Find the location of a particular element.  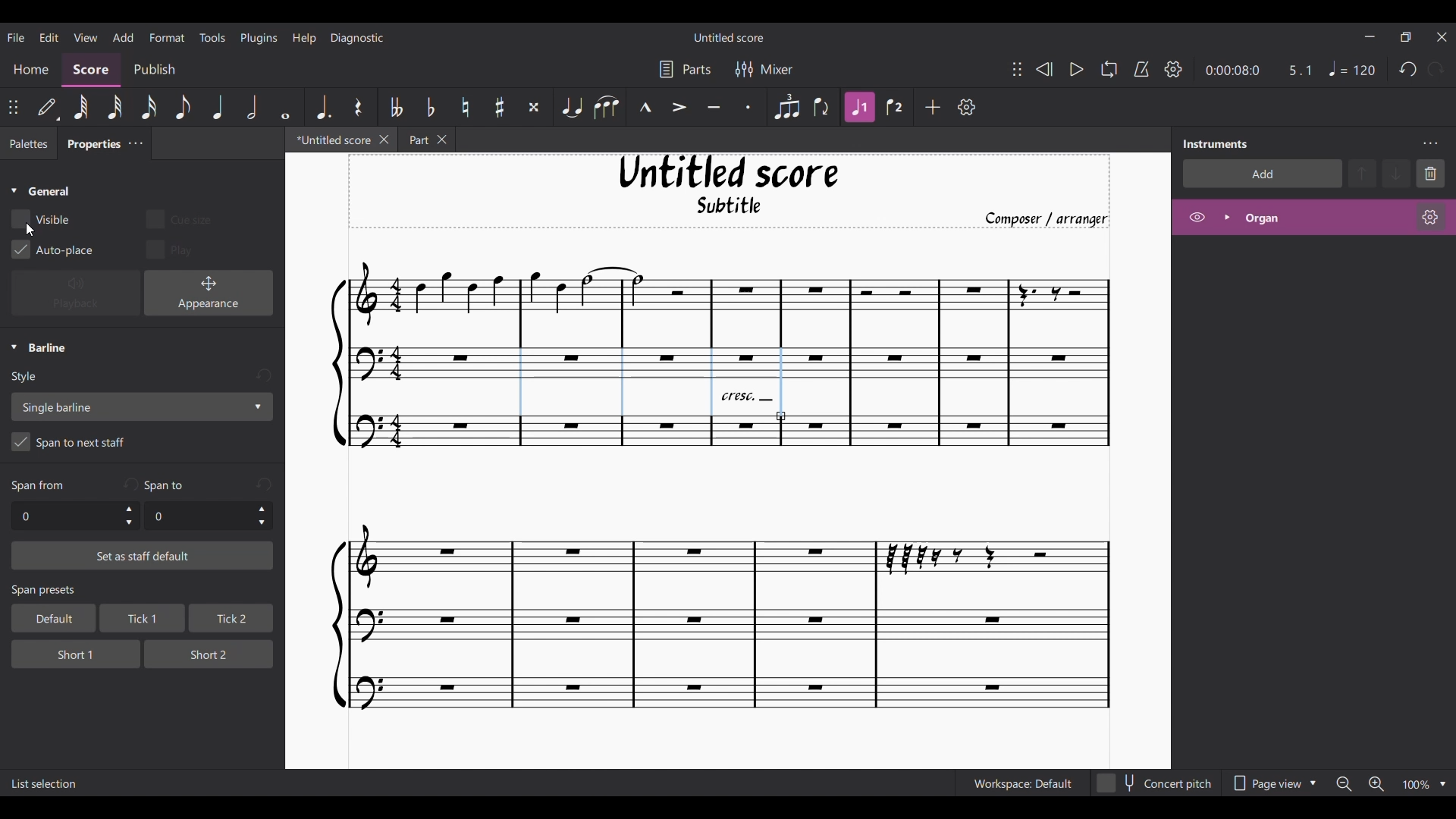

Add menu is located at coordinates (123, 36).